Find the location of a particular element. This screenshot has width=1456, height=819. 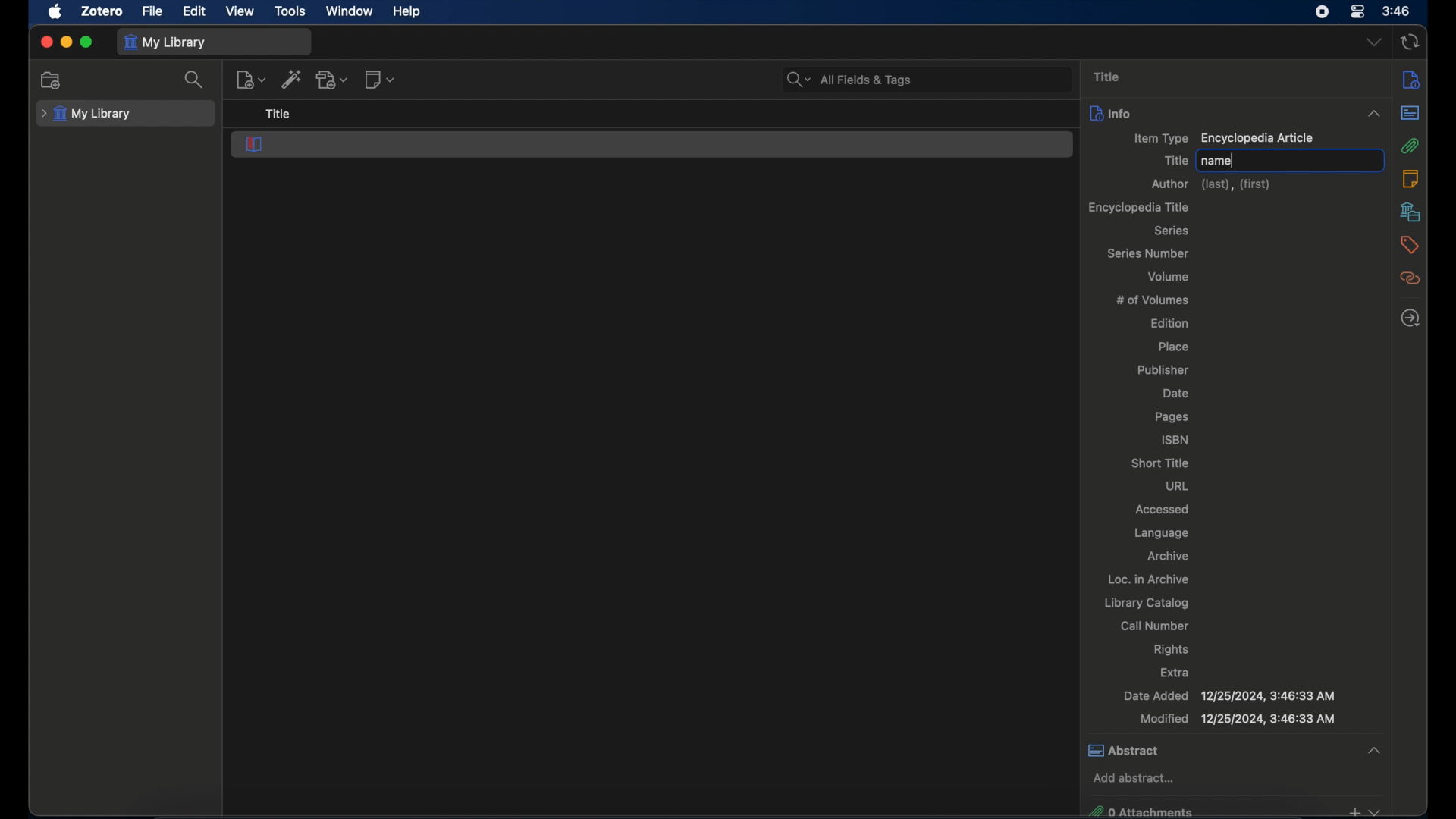

new collection is located at coordinates (52, 80).